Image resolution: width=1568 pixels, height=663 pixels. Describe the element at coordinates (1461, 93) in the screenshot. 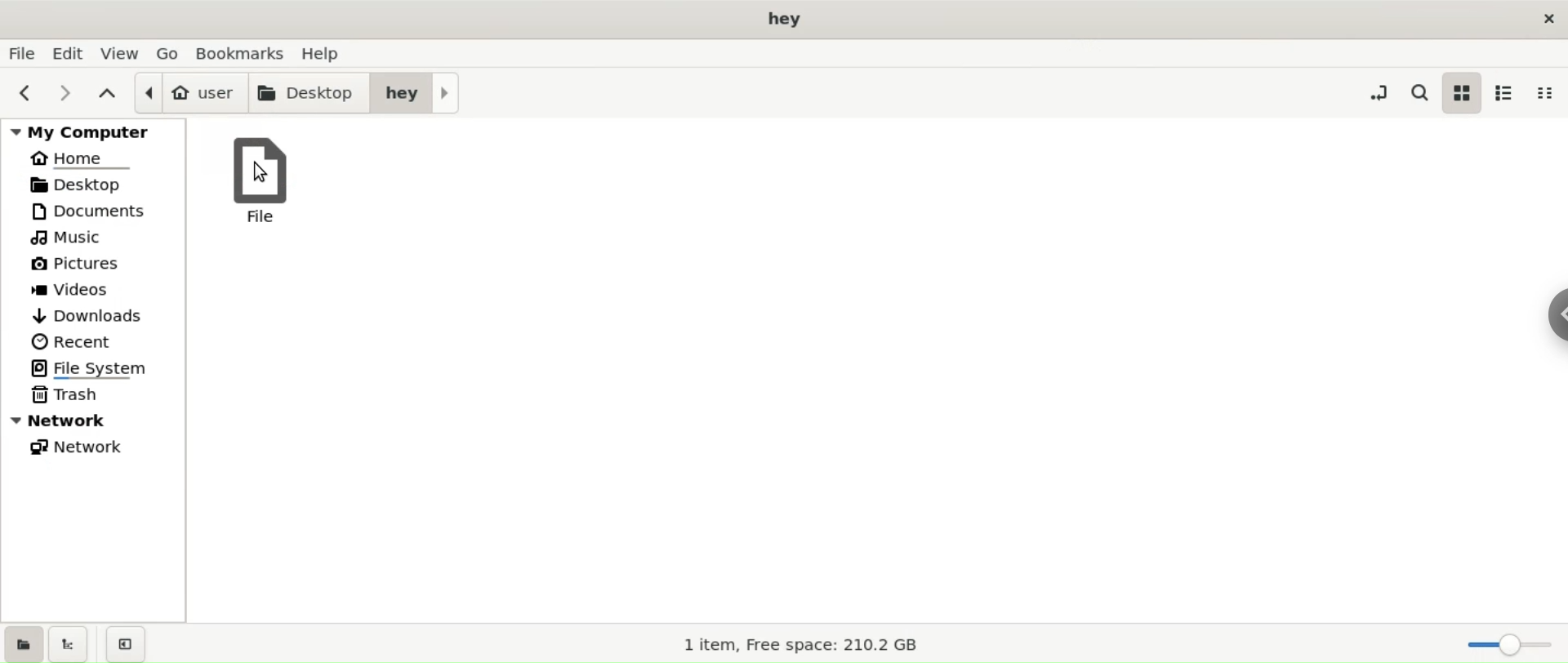

I see `icon view` at that location.